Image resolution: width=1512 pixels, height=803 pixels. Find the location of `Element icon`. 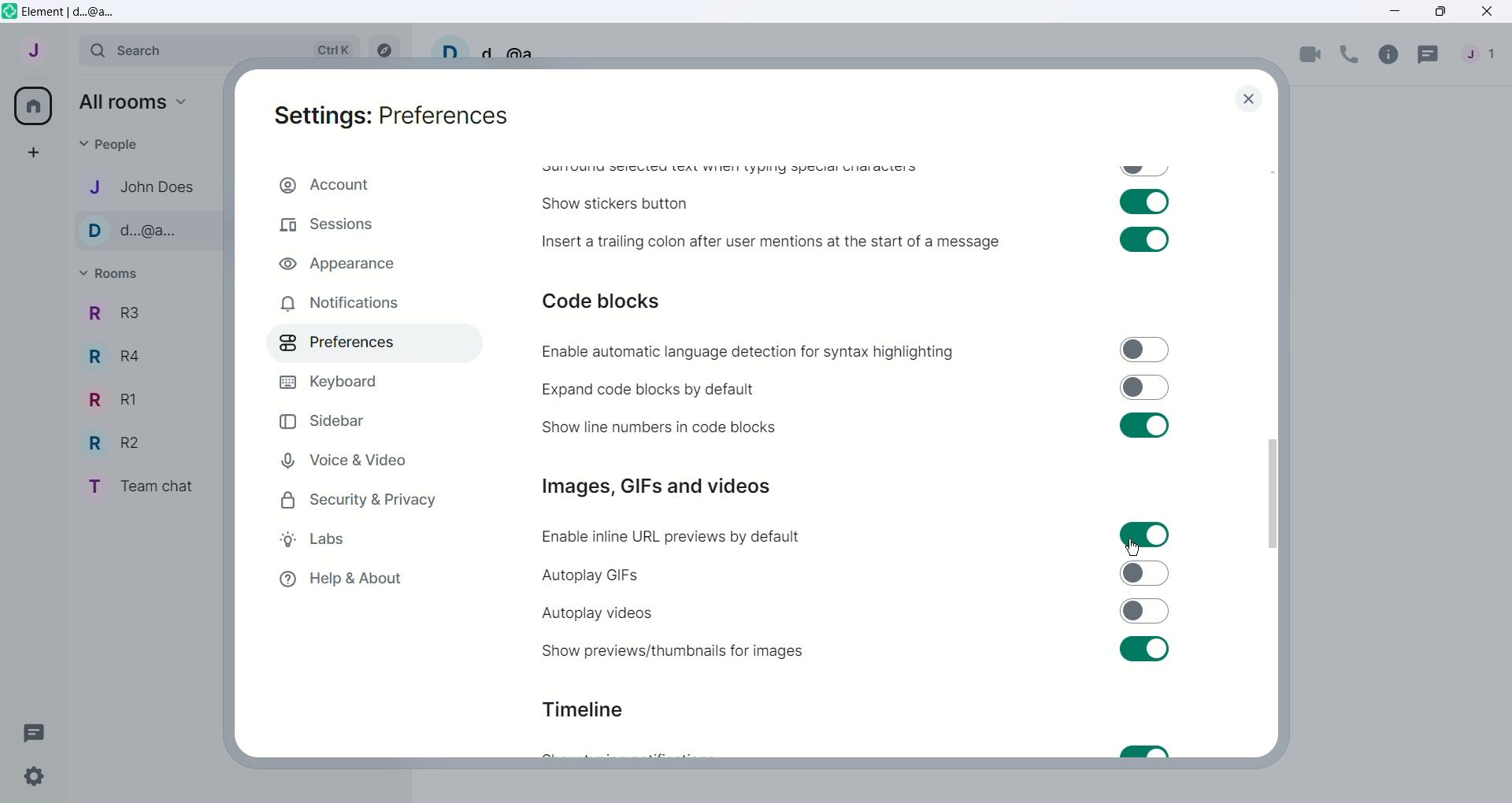

Element icon is located at coordinates (9, 11).